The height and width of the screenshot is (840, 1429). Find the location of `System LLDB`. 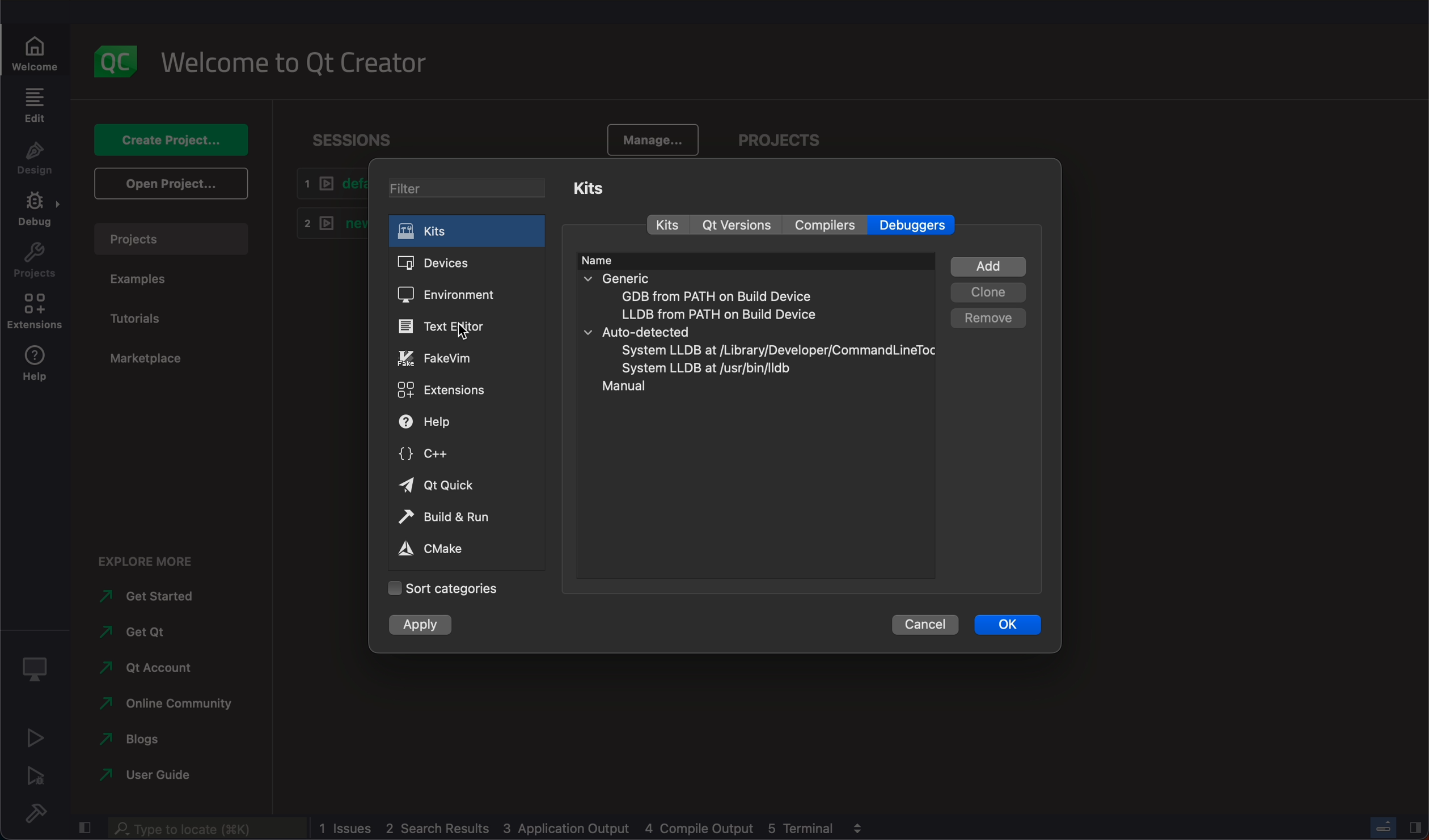

System LLDB is located at coordinates (705, 368).